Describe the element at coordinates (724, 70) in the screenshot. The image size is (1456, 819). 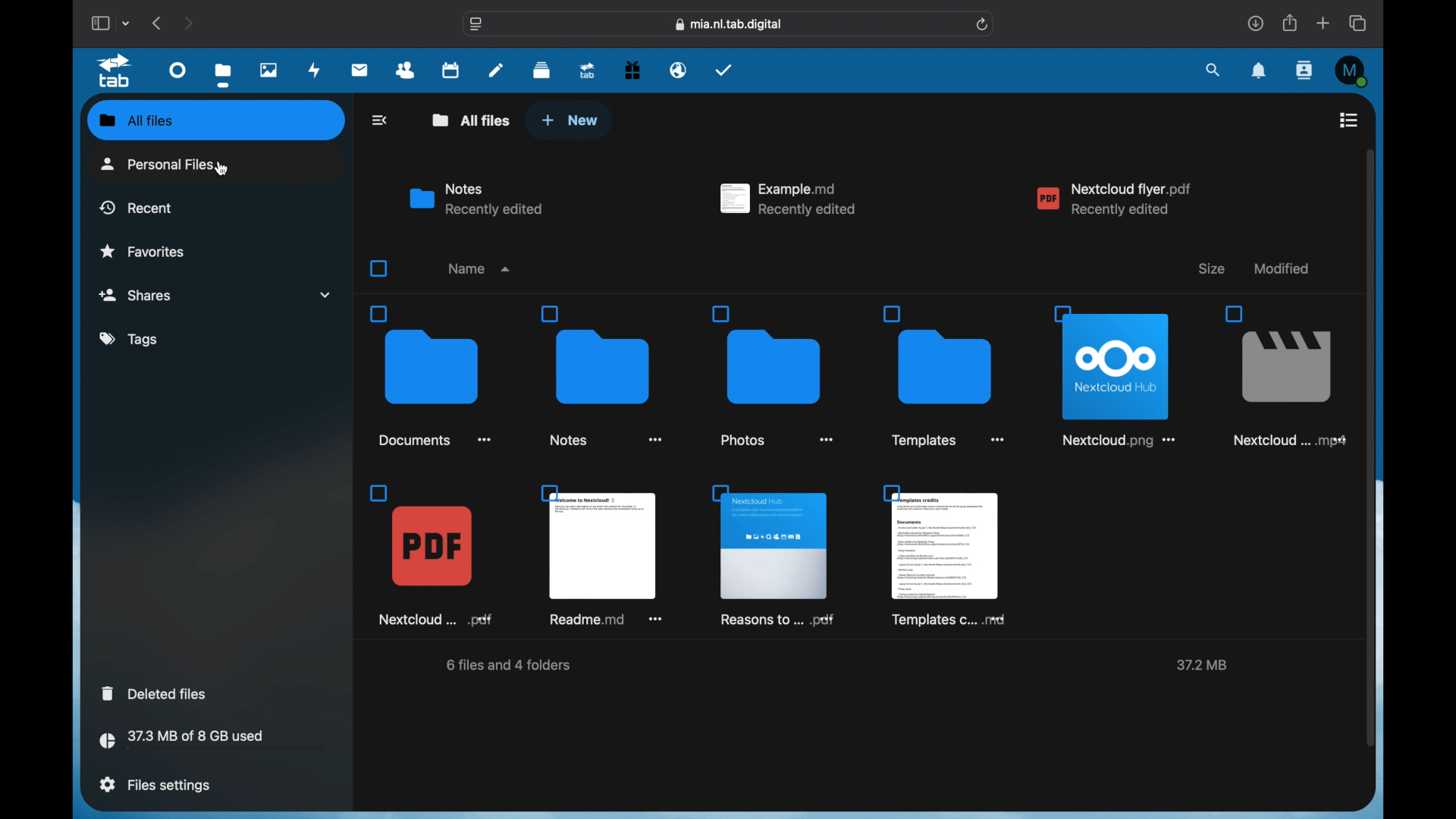
I see `tasks` at that location.